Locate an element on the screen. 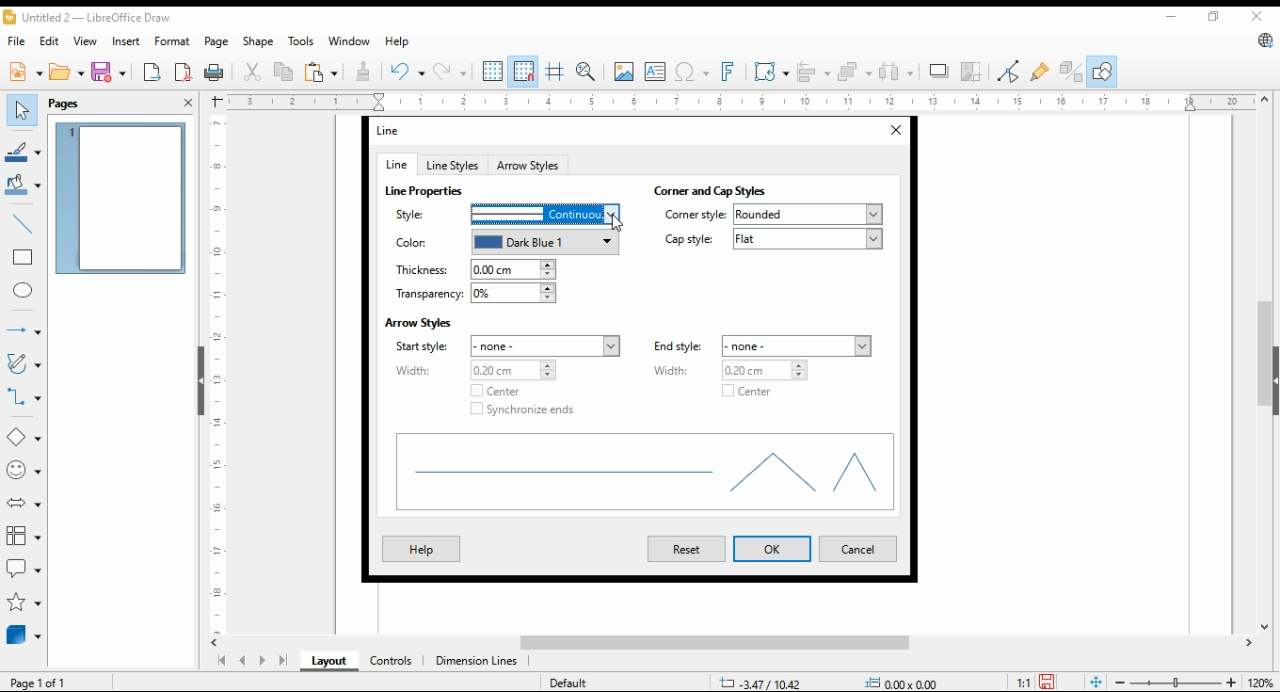 The image size is (1280, 692). zoom slider is located at coordinates (1173, 682).